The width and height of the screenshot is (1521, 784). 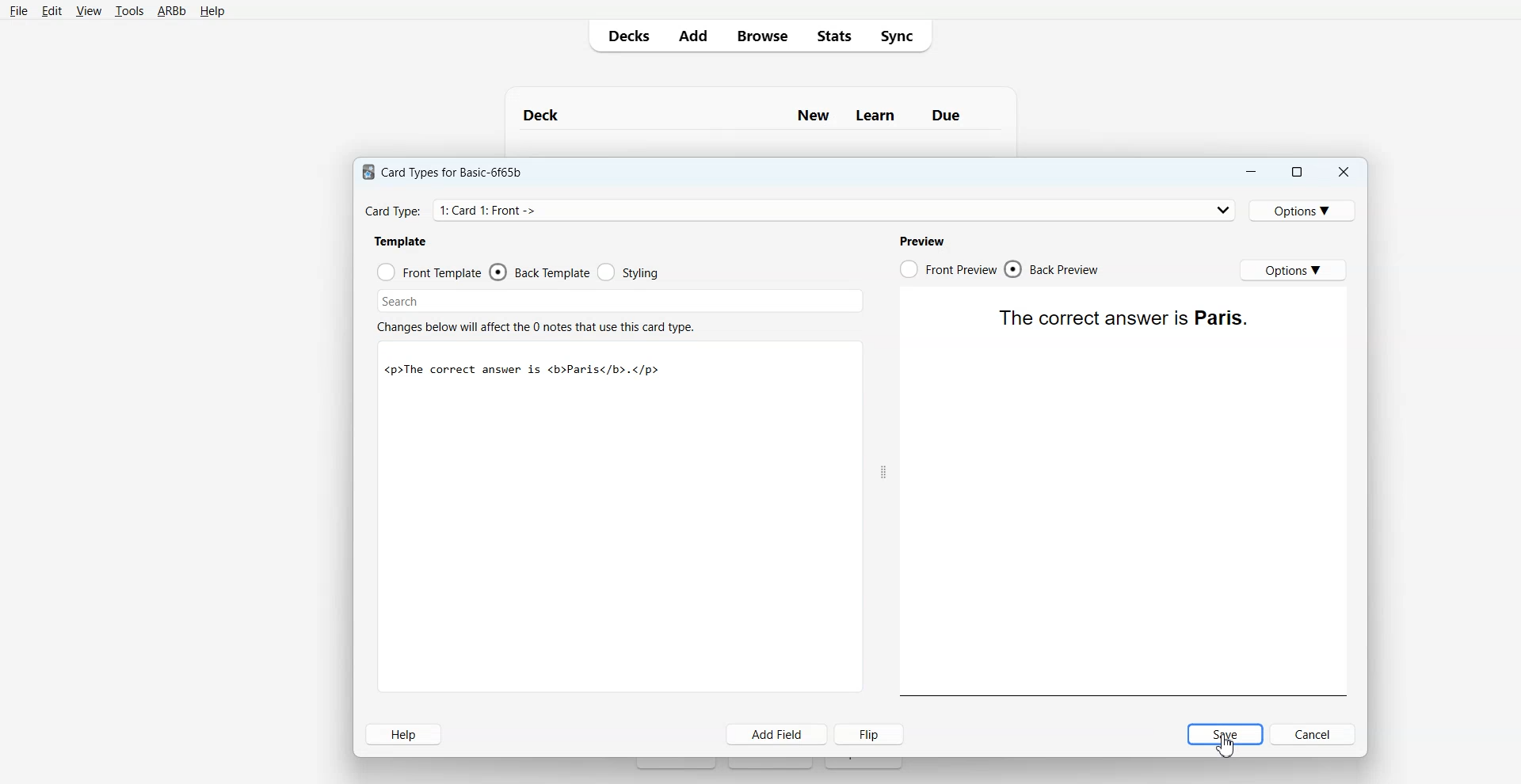 What do you see at coordinates (51, 10) in the screenshot?
I see `Edit` at bounding box center [51, 10].